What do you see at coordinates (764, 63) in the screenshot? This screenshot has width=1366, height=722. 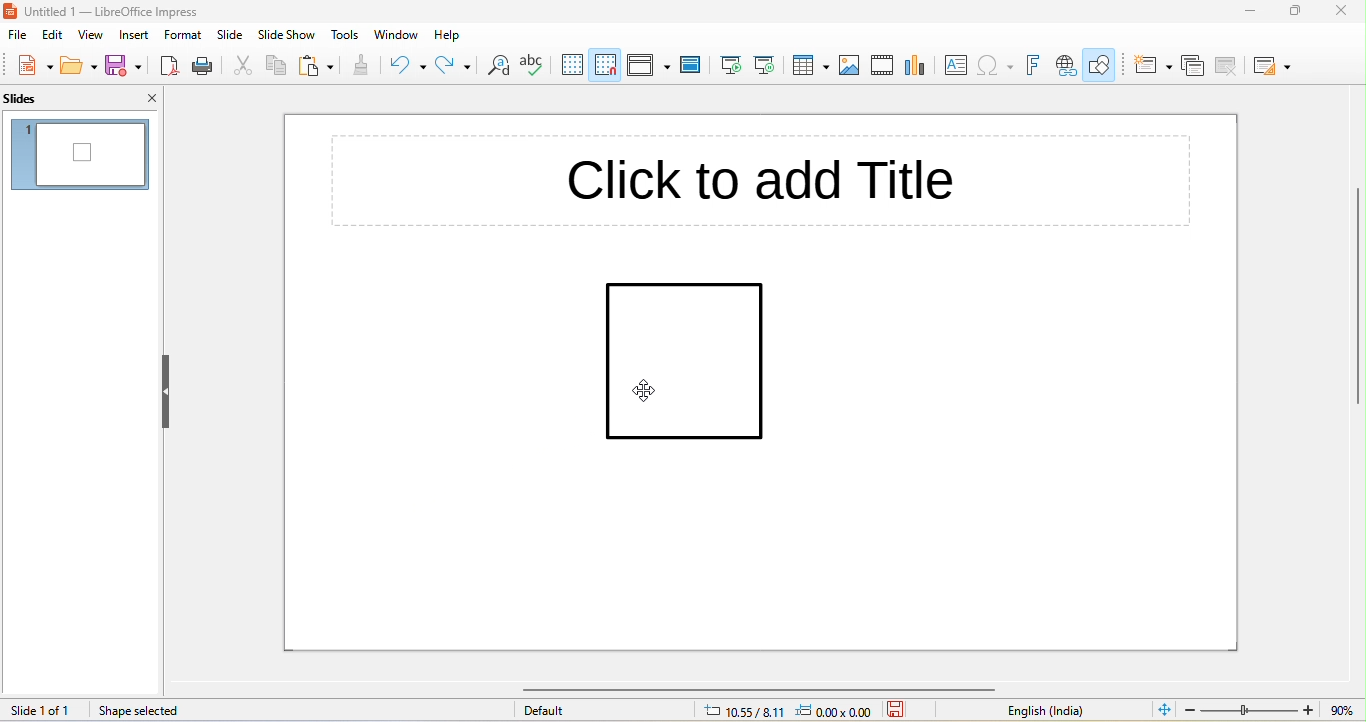 I see `start from current` at bounding box center [764, 63].